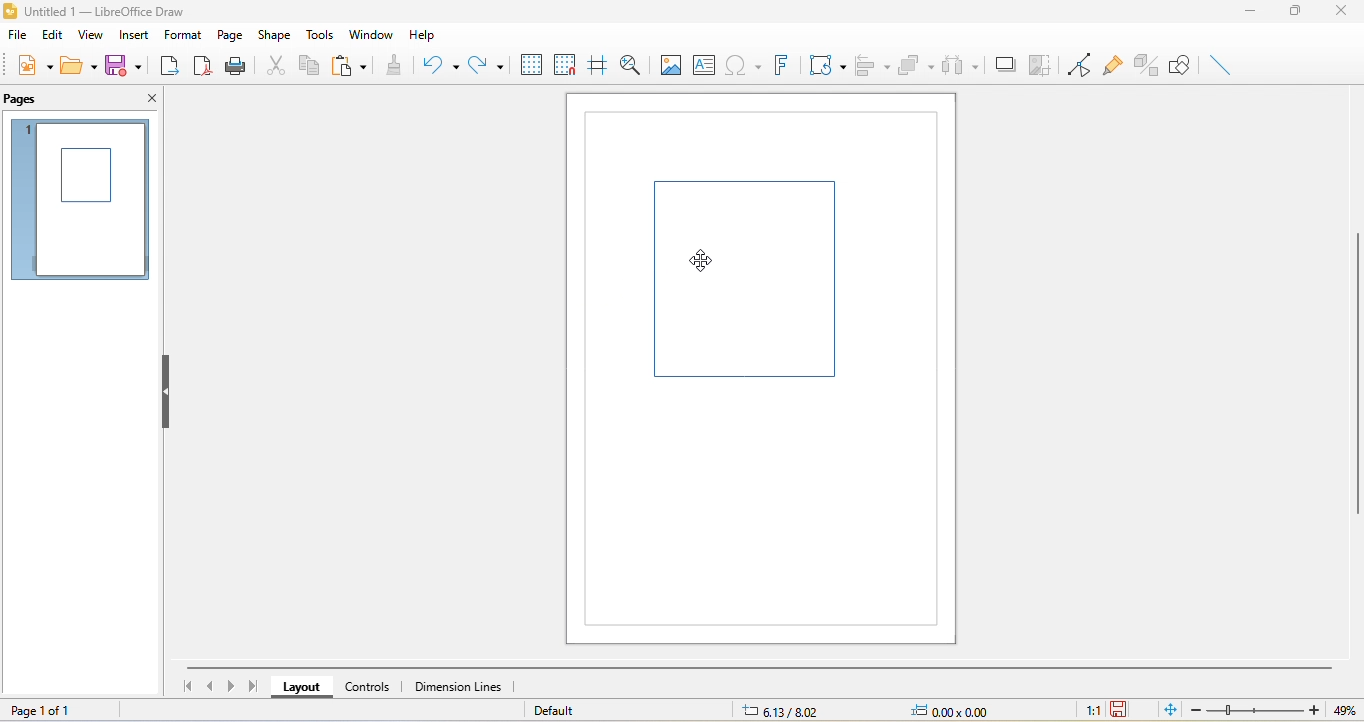  What do you see at coordinates (17, 39) in the screenshot?
I see `file` at bounding box center [17, 39].